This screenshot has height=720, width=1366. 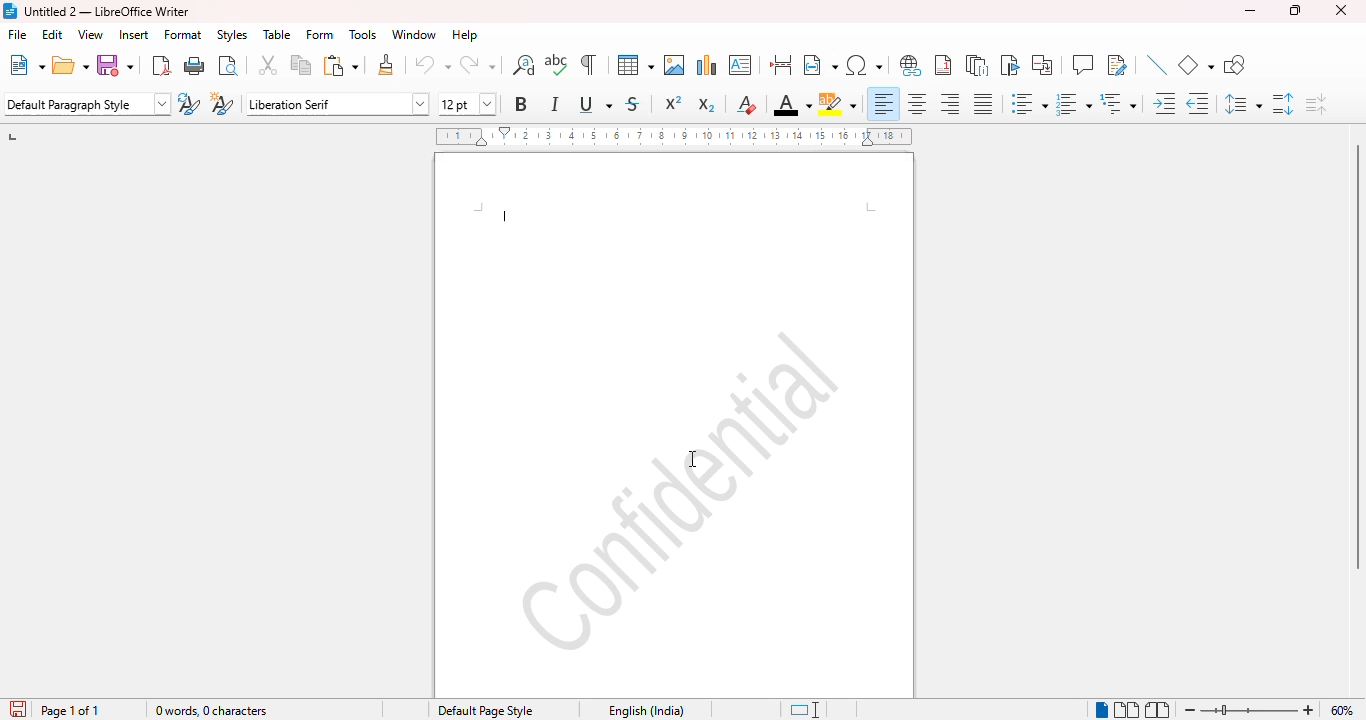 What do you see at coordinates (19, 34) in the screenshot?
I see `file` at bounding box center [19, 34].